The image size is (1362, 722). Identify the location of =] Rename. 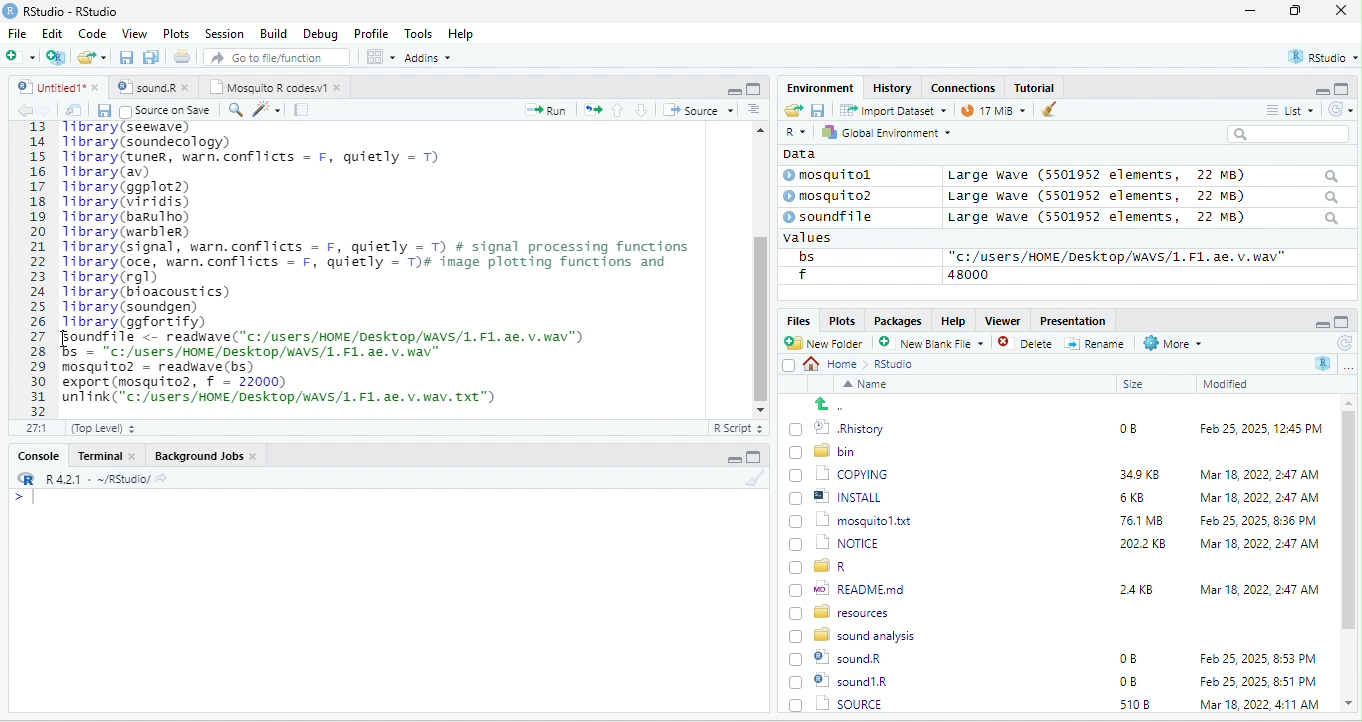
(1096, 343).